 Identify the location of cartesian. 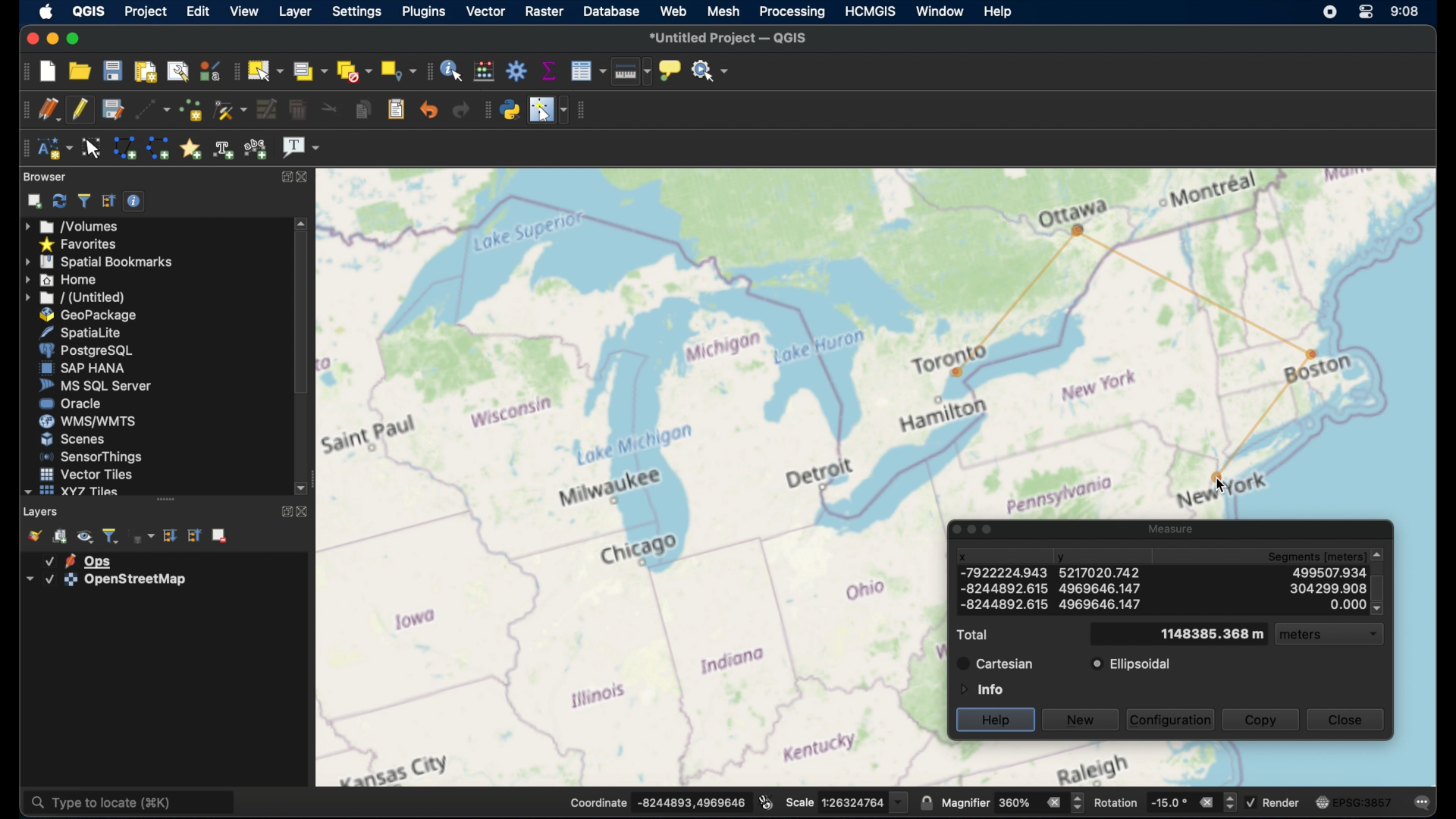
(995, 663).